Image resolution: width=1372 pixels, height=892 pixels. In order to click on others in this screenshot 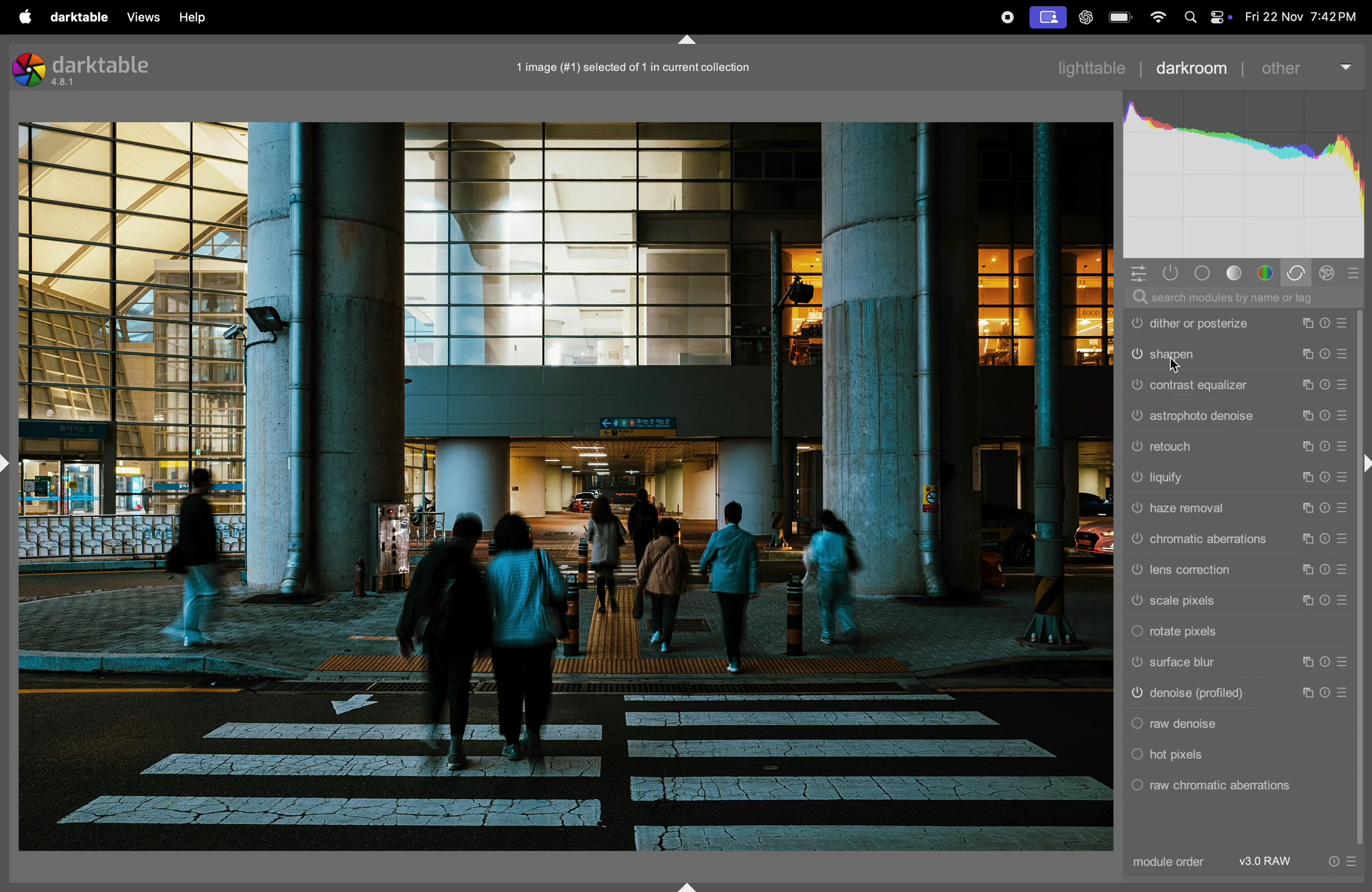, I will do `click(1305, 67)`.